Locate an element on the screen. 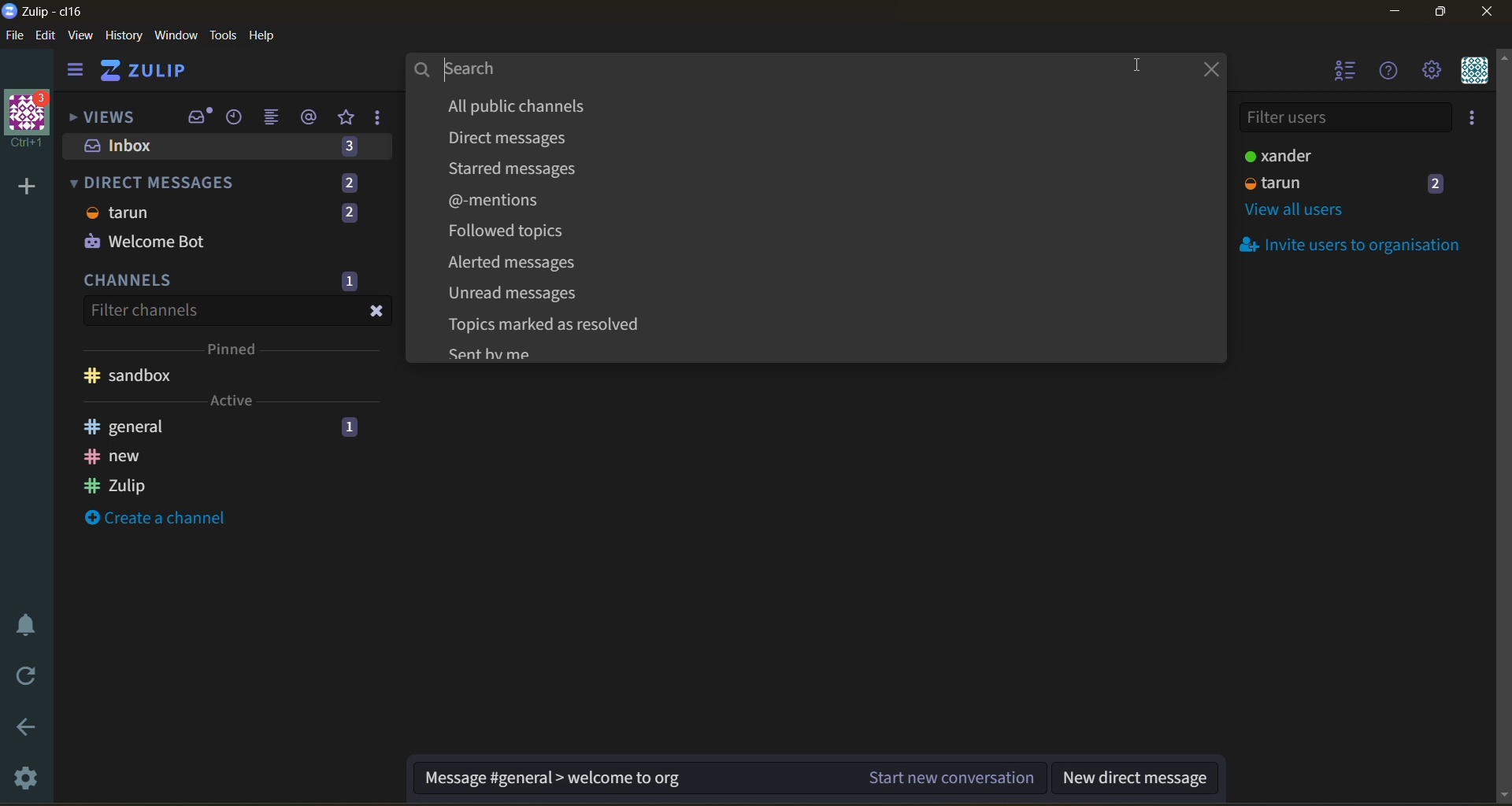  # sandbox is located at coordinates (131, 375).